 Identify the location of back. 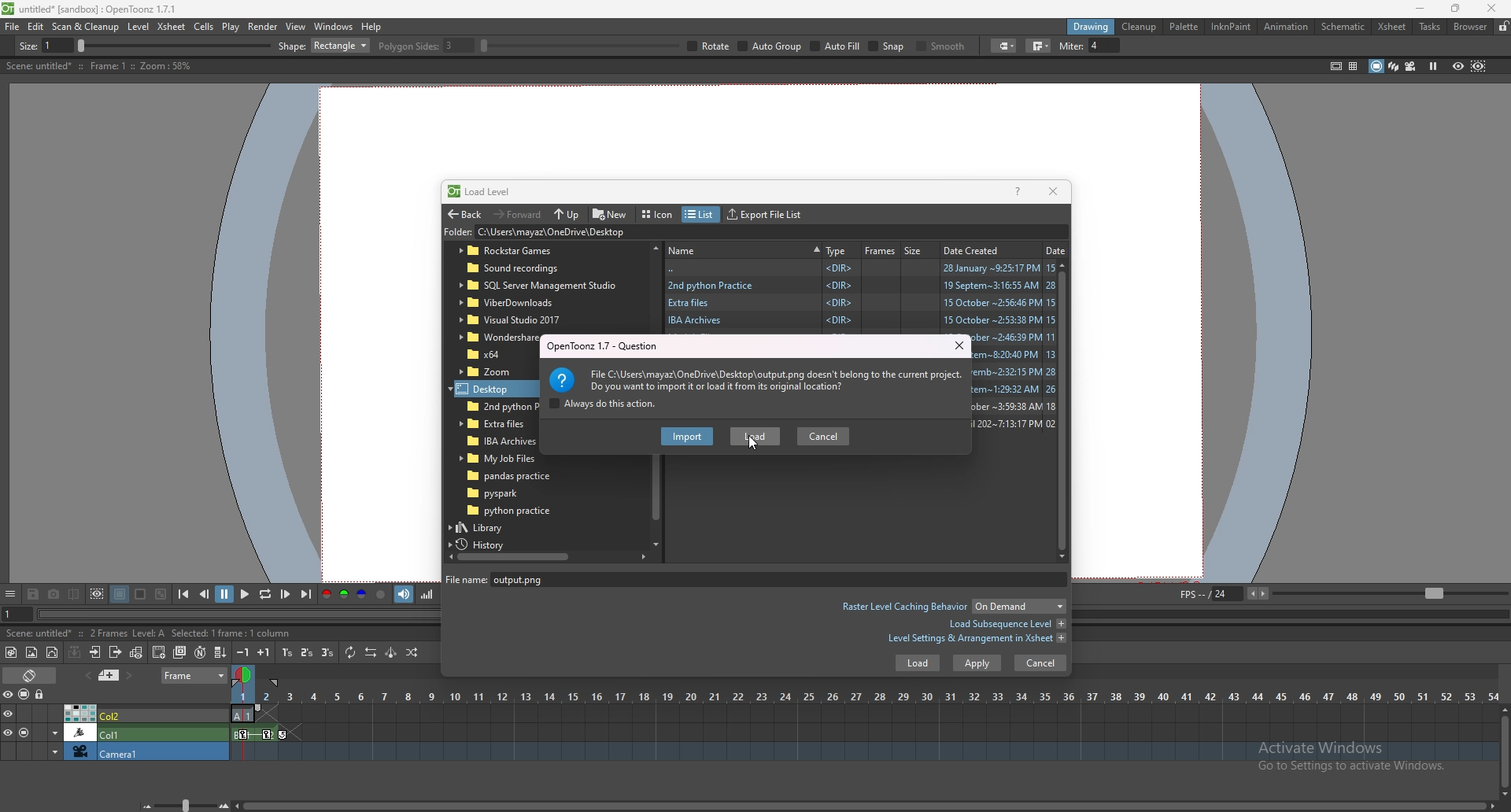
(862, 268).